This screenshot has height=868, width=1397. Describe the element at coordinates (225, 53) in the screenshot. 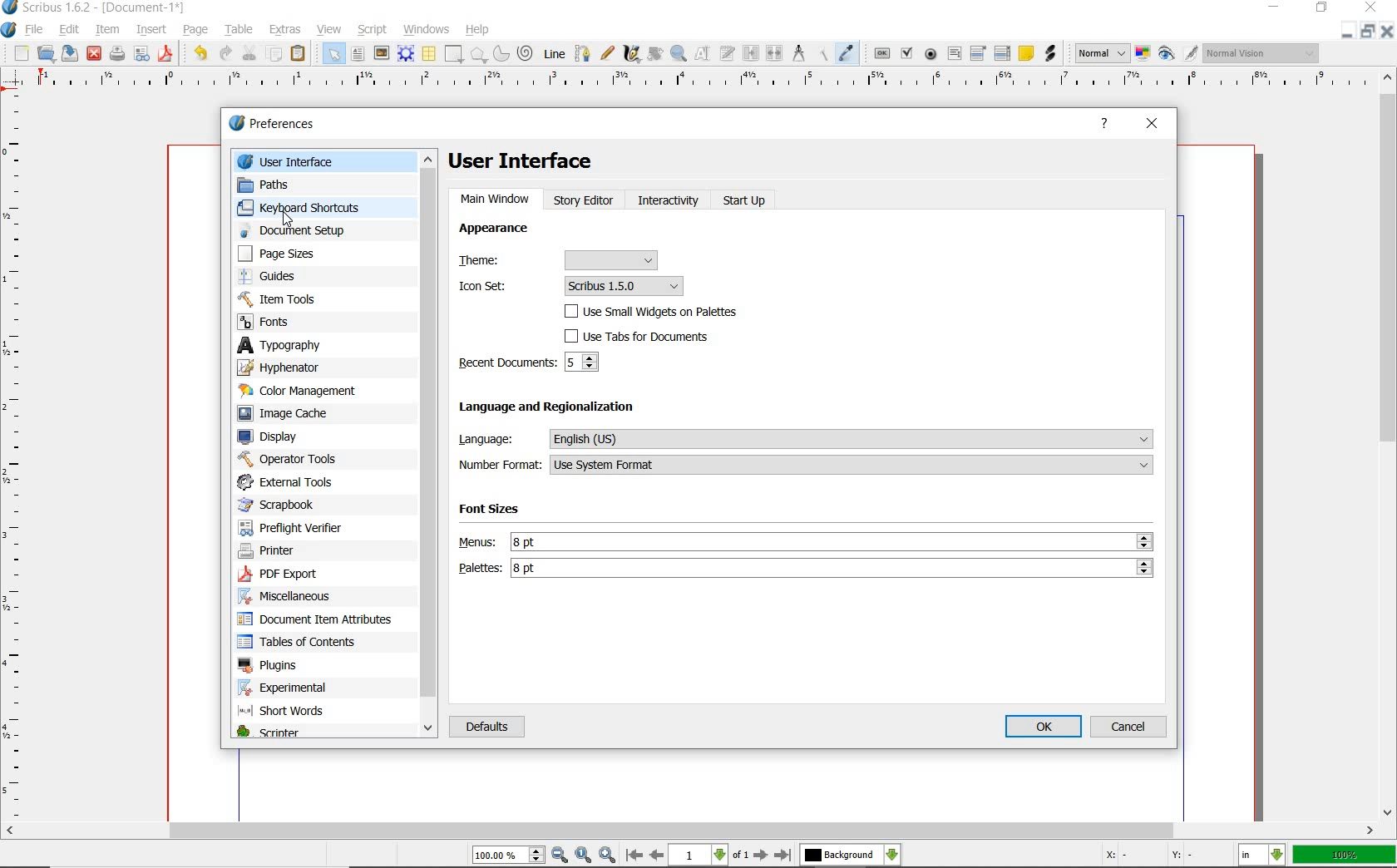

I see `redo` at that location.